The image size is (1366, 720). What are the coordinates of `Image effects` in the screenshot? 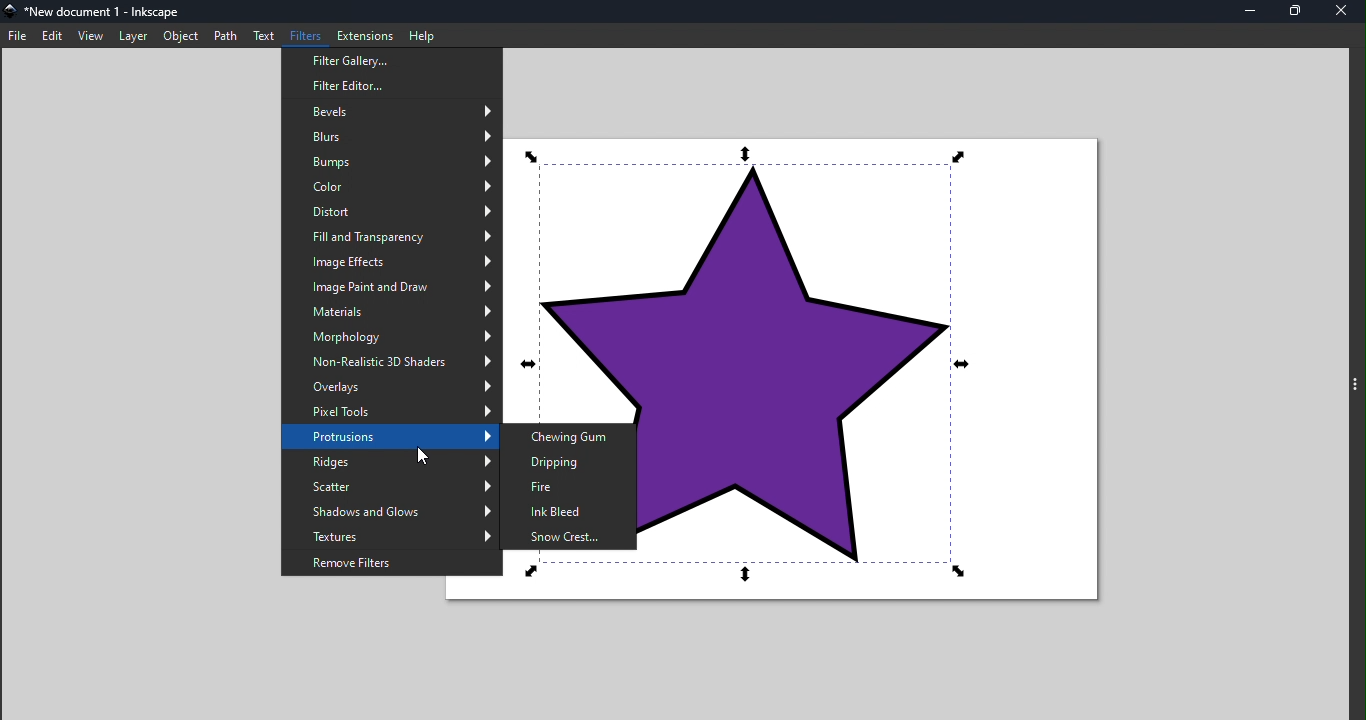 It's located at (390, 263).